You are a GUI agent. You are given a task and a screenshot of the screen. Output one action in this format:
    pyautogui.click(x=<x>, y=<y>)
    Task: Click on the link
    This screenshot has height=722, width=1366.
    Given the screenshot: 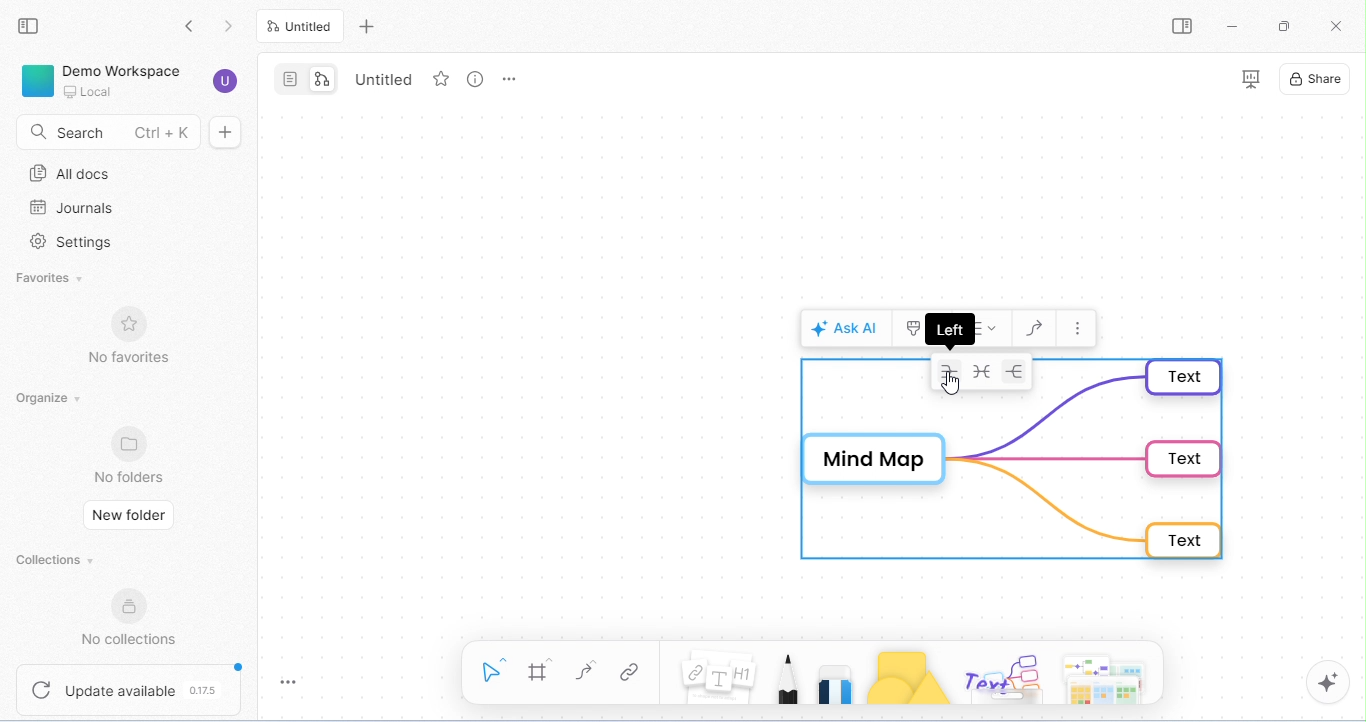 What is the action you would take?
    pyautogui.click(x=628, y=674)
    